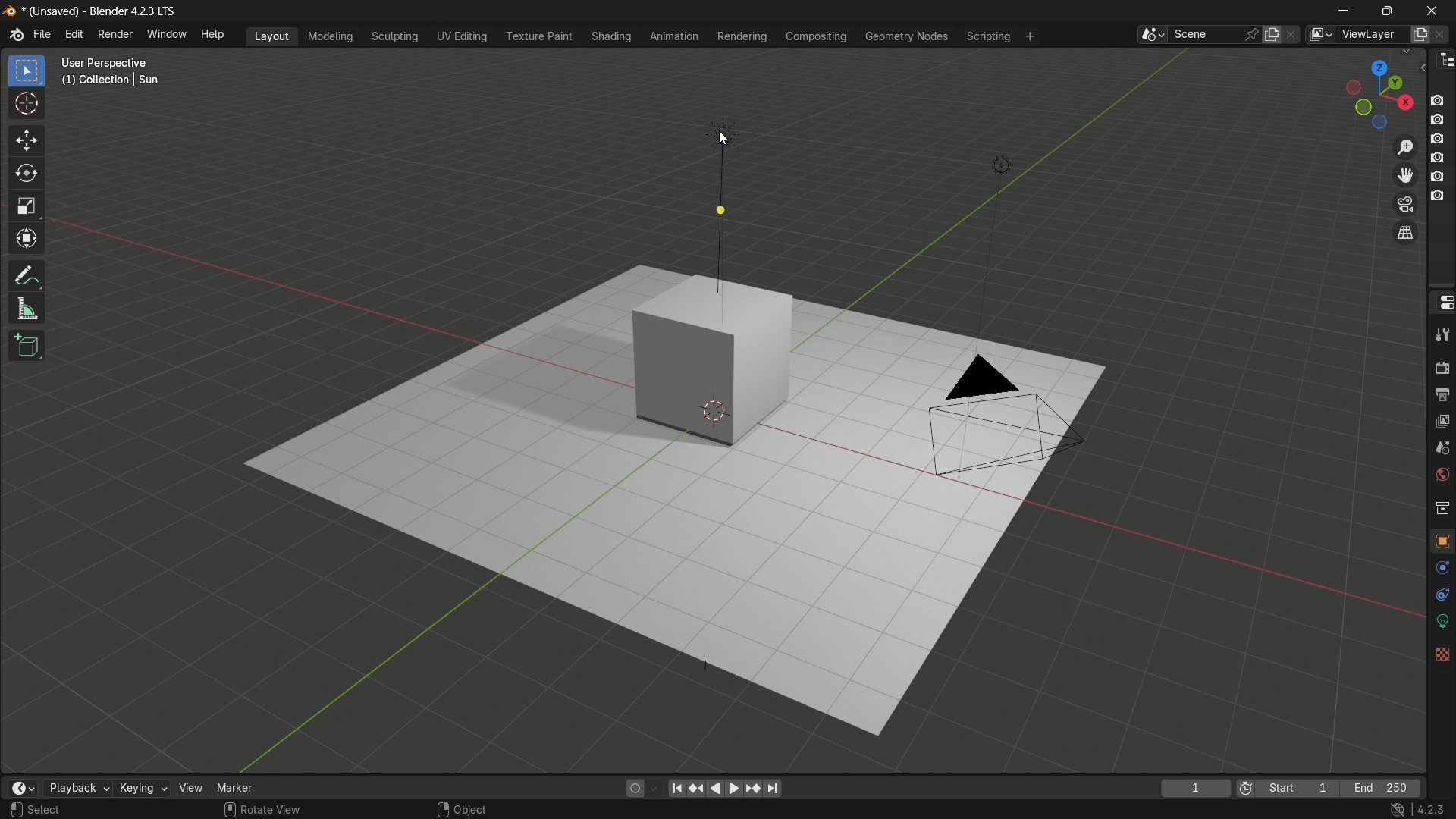 The height and width of the screenshot is (819, 1456). I want to click on layer 3, so click(1438, 138).